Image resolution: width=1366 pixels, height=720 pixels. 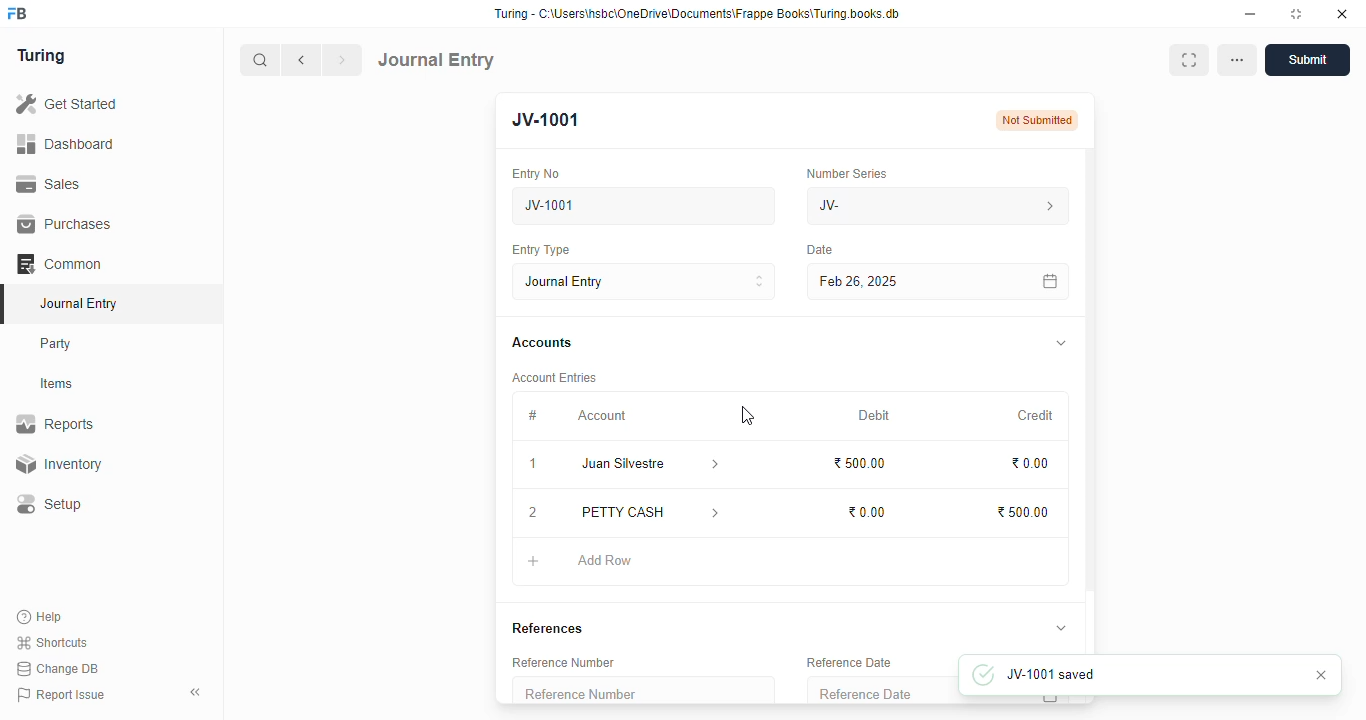 I want to click on common, so click(x=61, y=264).